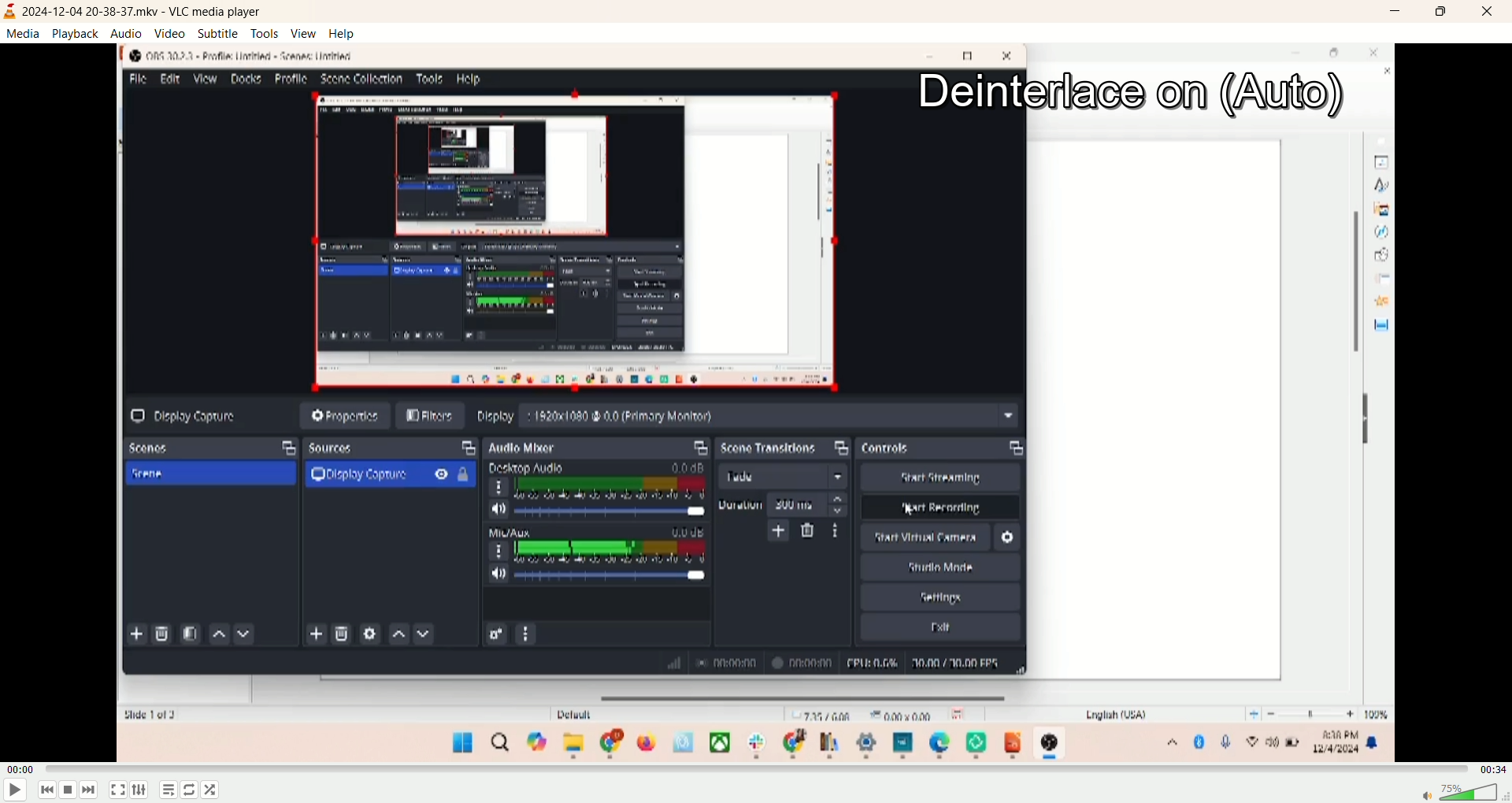  I want to click on maximize, so click(1439, 15).